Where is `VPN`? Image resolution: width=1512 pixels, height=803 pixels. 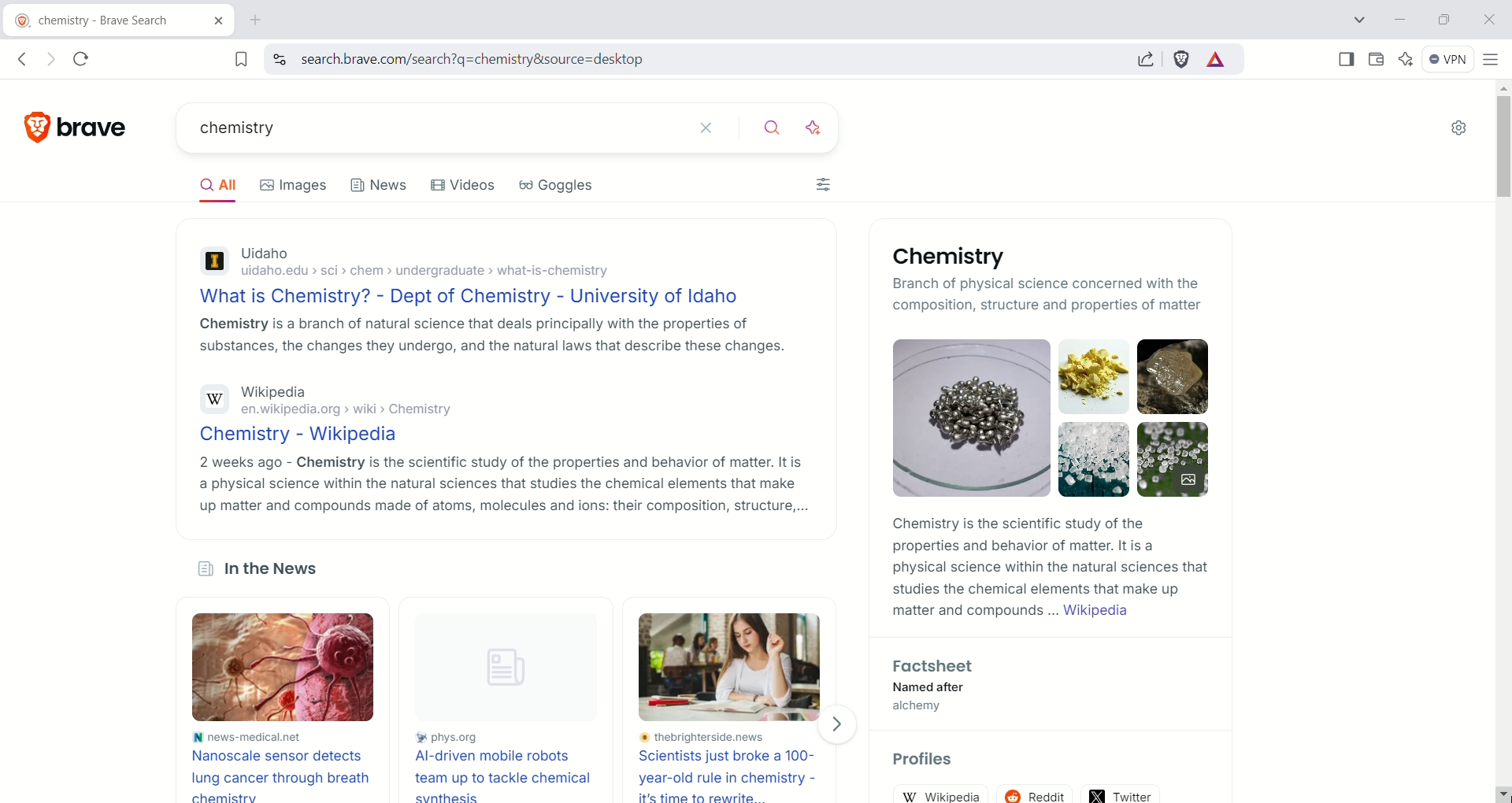
VPN is located at coordinates (1444, 57).